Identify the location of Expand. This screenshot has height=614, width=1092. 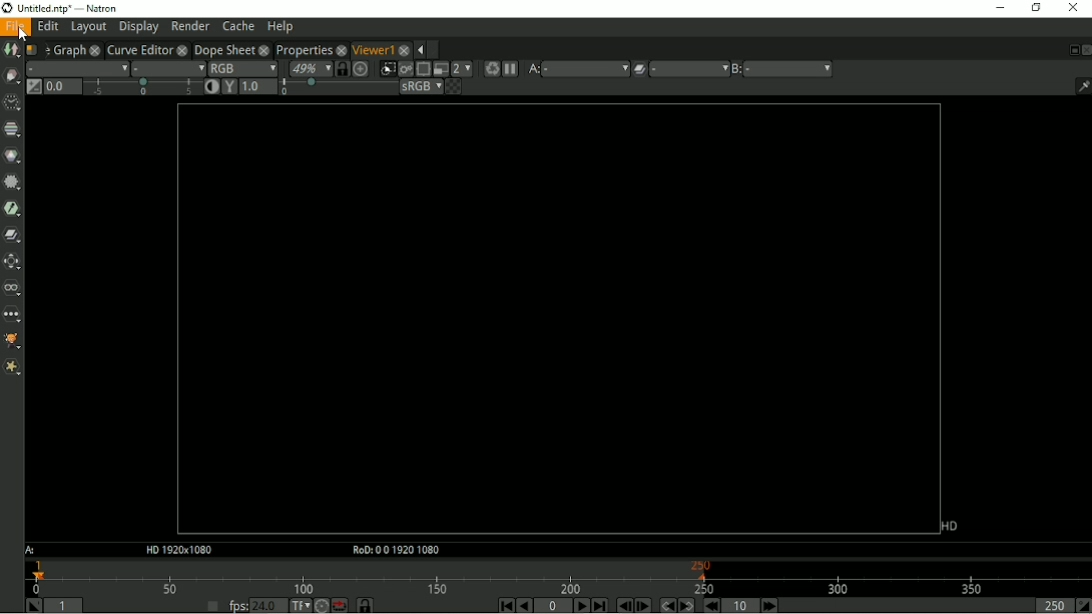
(435, 49).